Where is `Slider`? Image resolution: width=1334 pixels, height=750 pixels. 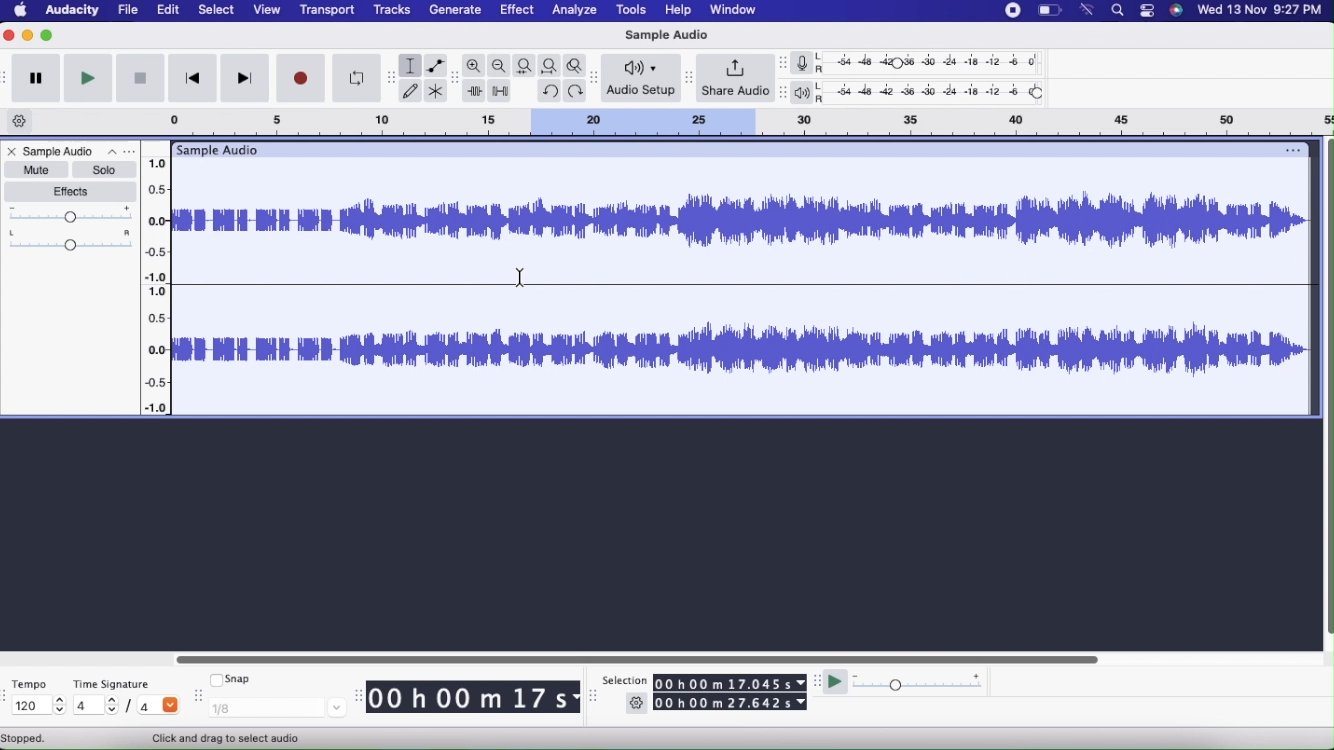 Slider is located at coordinates (161, 279).